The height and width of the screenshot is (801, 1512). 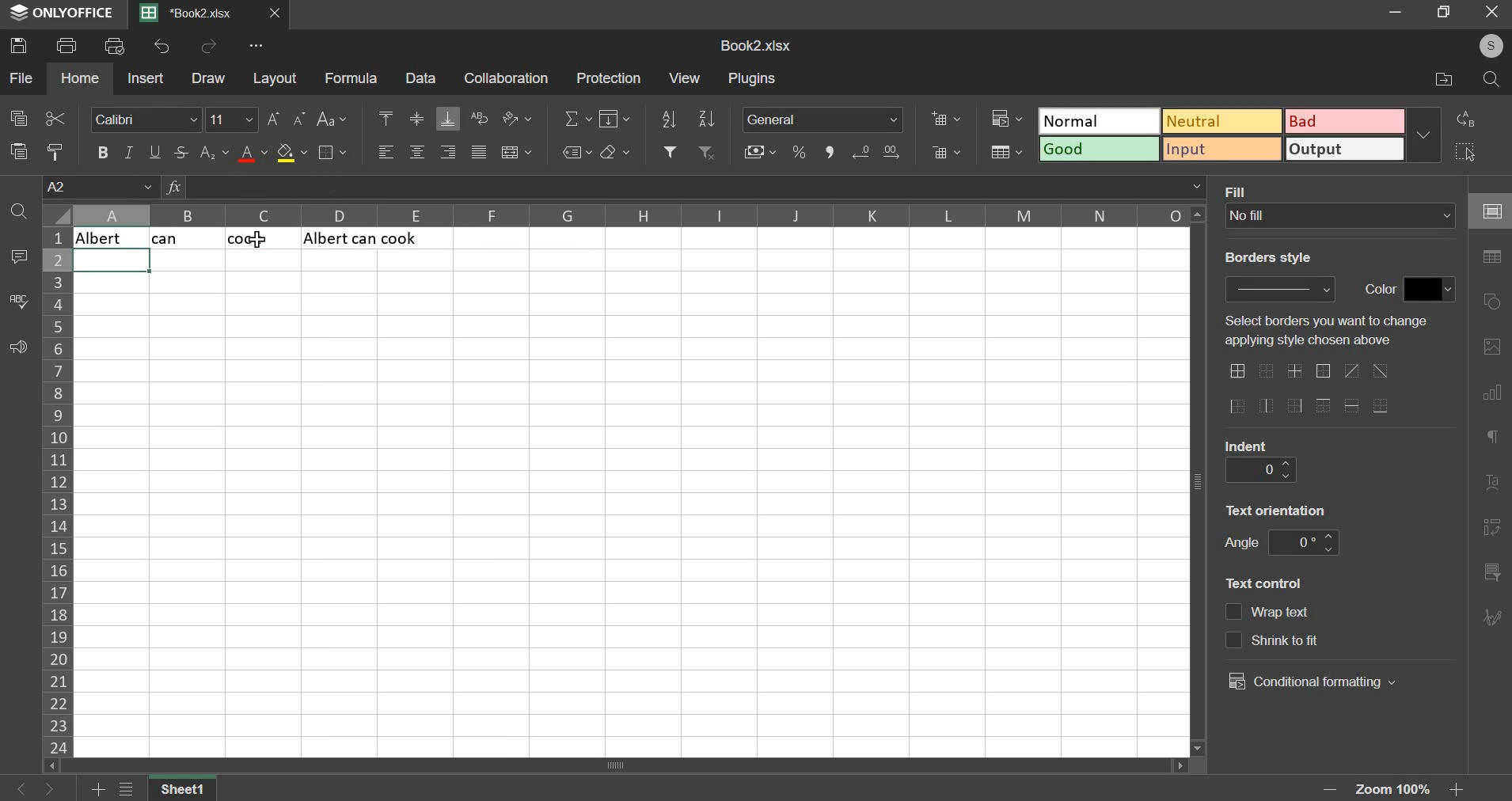 What do you see at coordinates (1241, 135) in the screenshot?
I see `type` at bounding box center [1241, 135].